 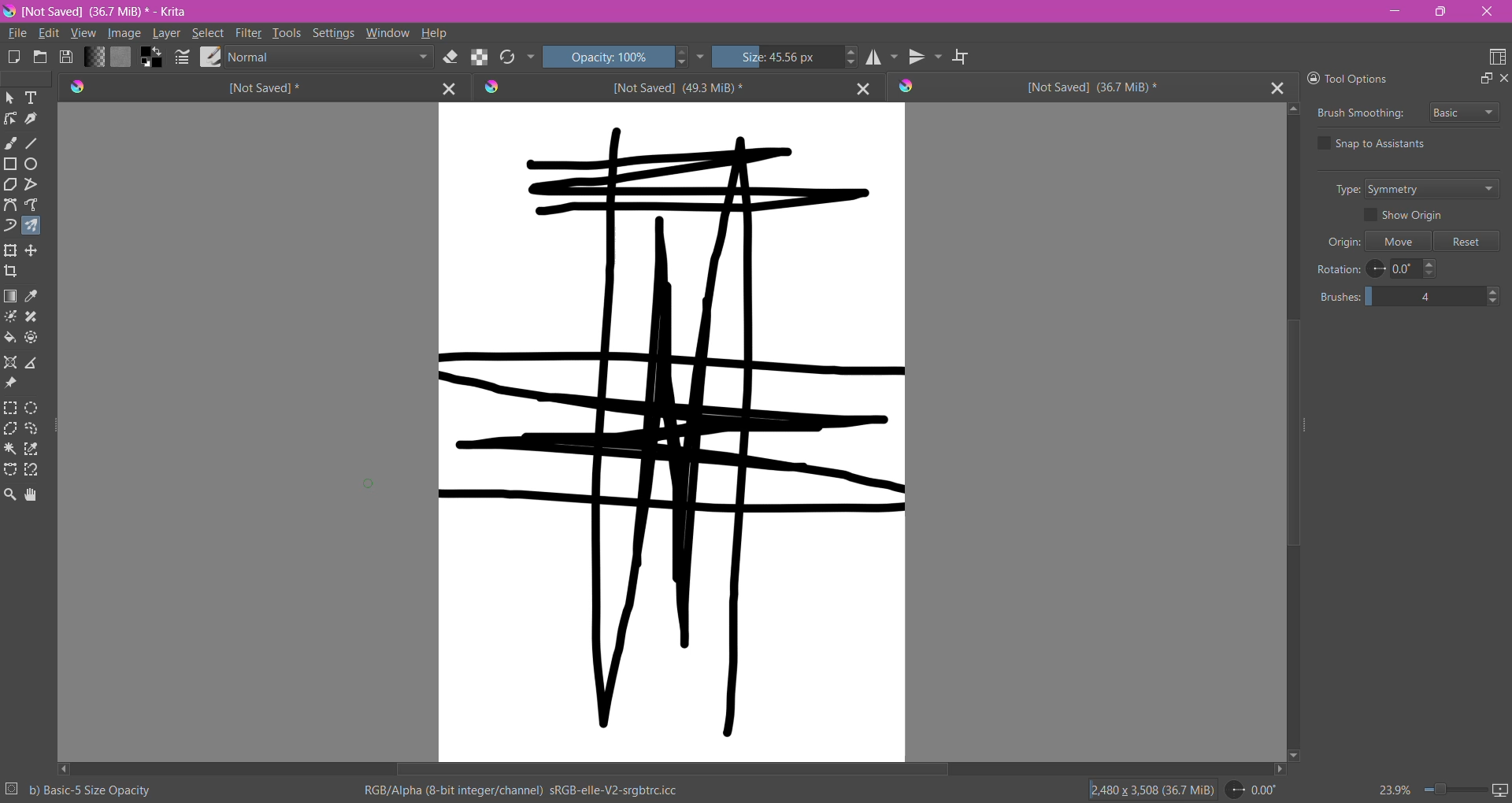 What do you see at coordinates (328, 57) in the screenshot?
I see `Blending Mode` at bounding box center [328, 57].